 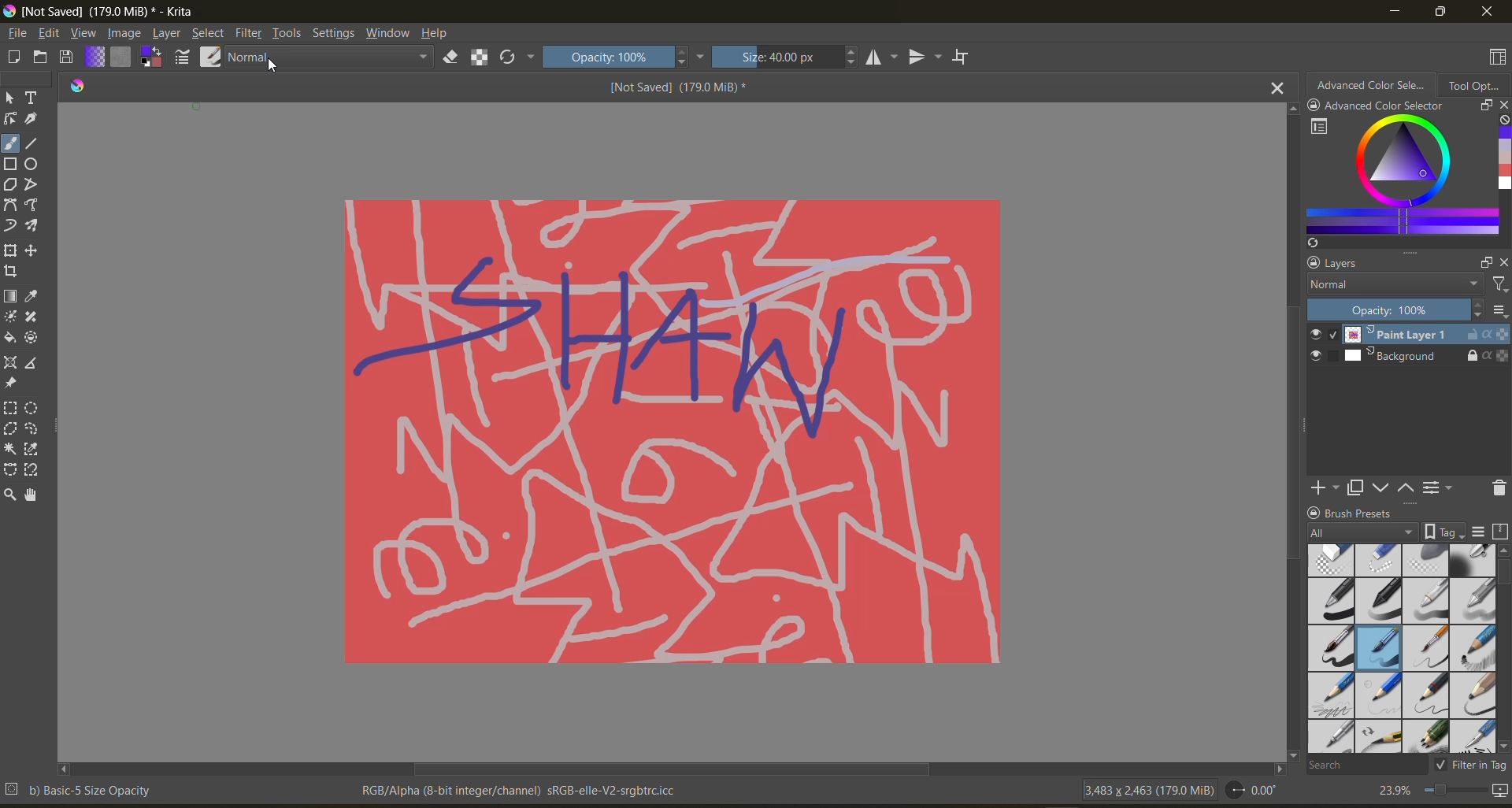 I want to click on fill gradient, so click(x=95, y=57).